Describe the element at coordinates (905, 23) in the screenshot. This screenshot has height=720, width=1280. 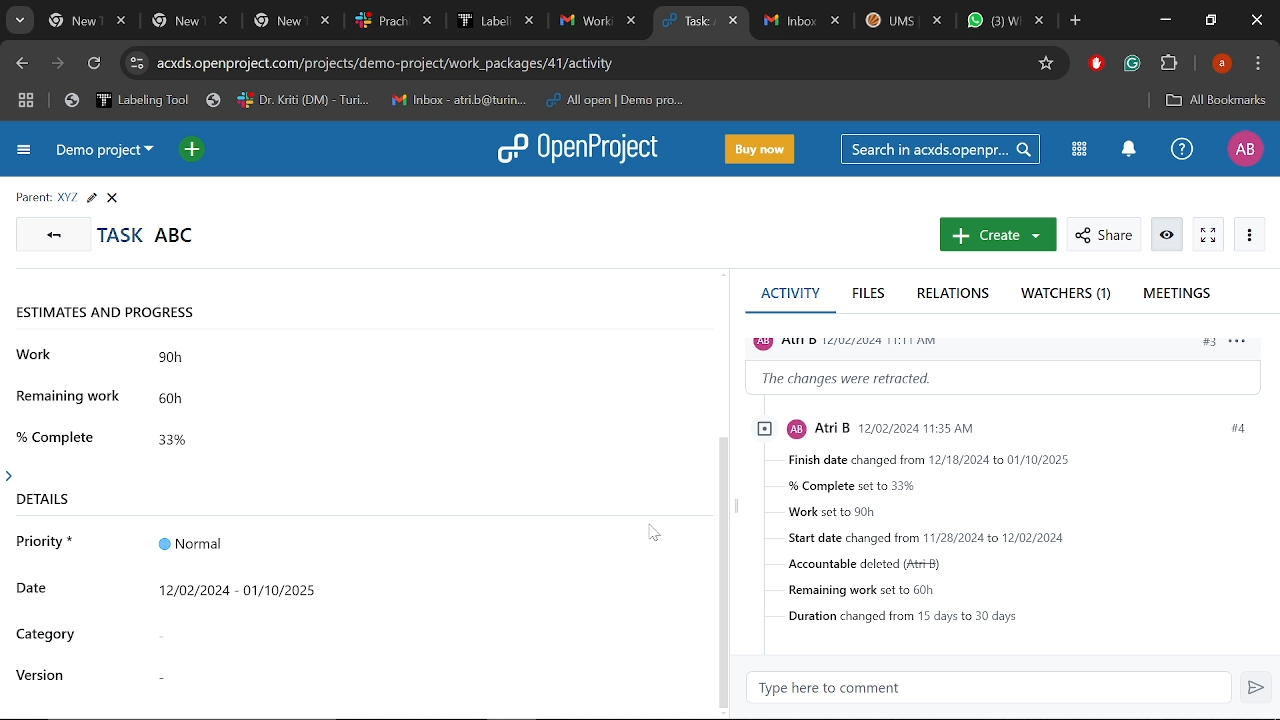
I see `Other tabs` at that location.